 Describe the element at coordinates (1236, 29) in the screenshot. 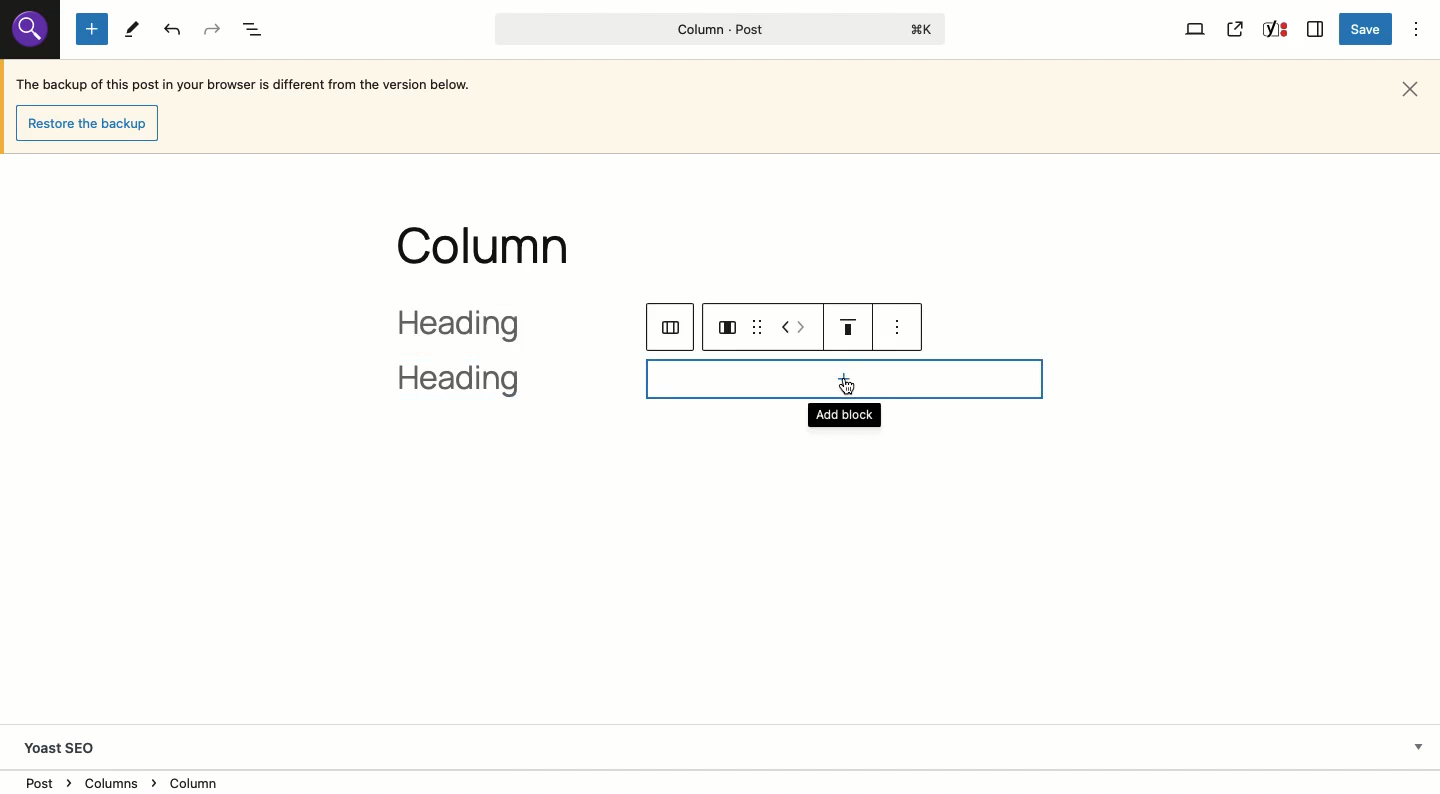

I see `View post` at that location.